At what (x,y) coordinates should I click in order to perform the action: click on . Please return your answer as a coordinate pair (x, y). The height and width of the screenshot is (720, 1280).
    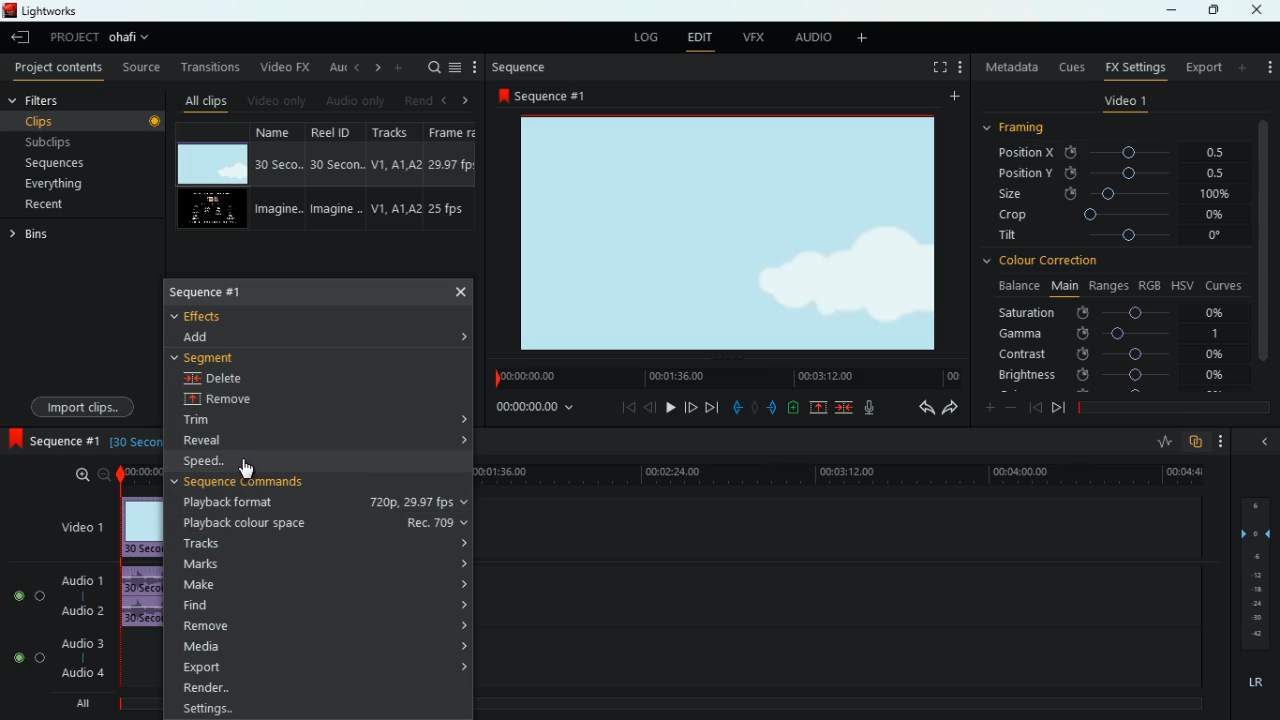
    Looking at the image, I should click on (1115, 237).